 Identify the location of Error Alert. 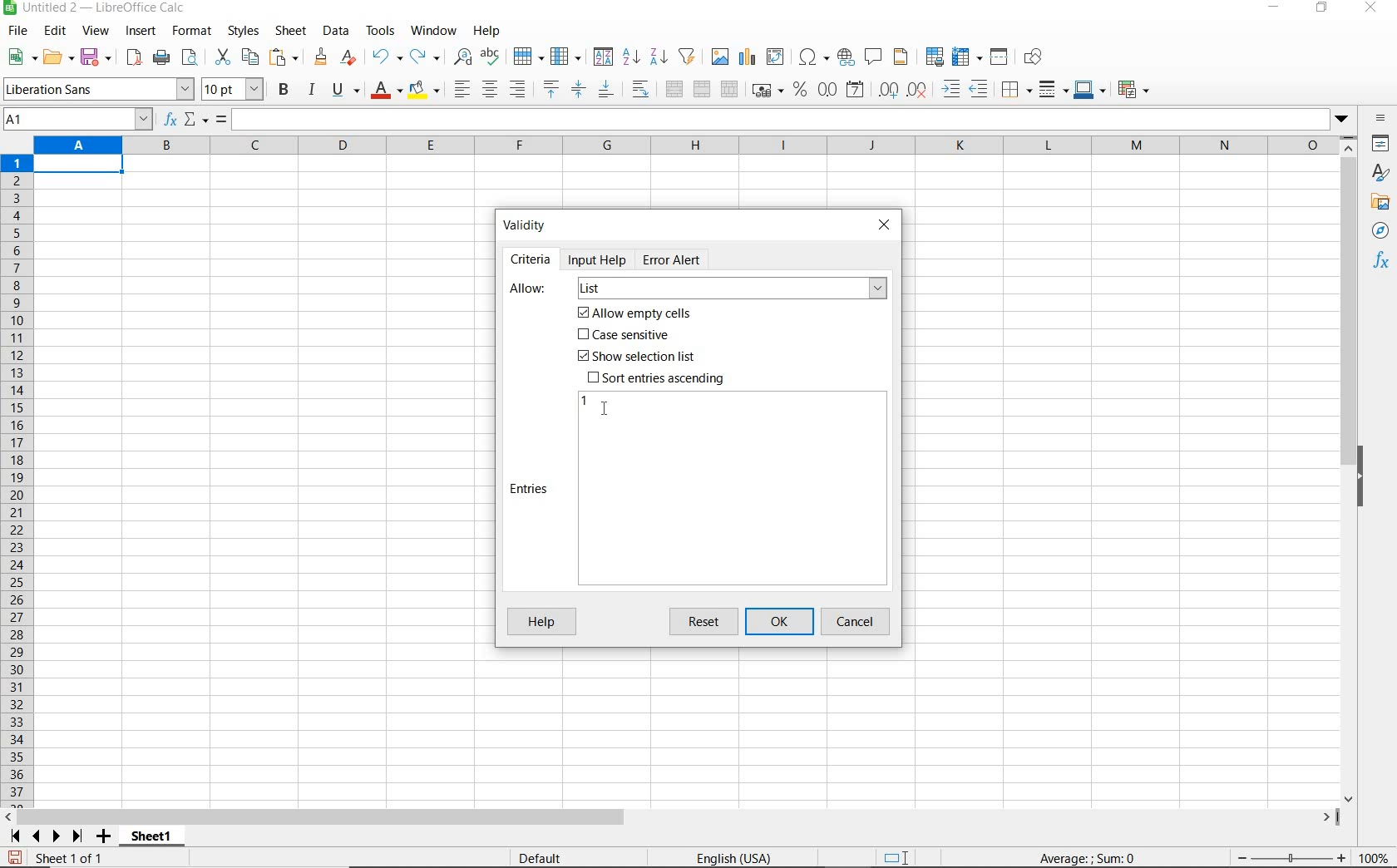
(681, 259).